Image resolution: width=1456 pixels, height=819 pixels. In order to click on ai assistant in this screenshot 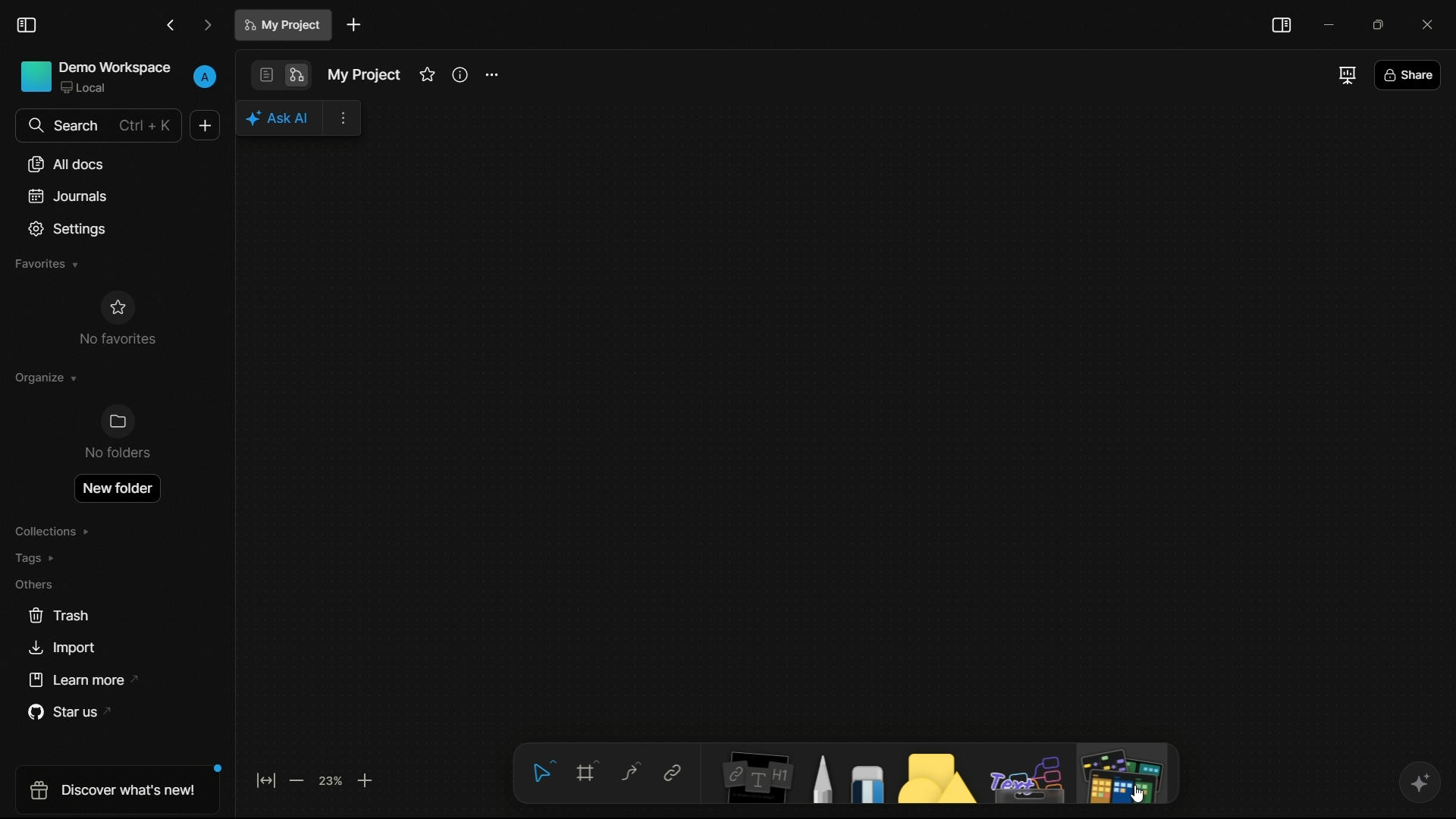, I will do `click(1419, 783)`.